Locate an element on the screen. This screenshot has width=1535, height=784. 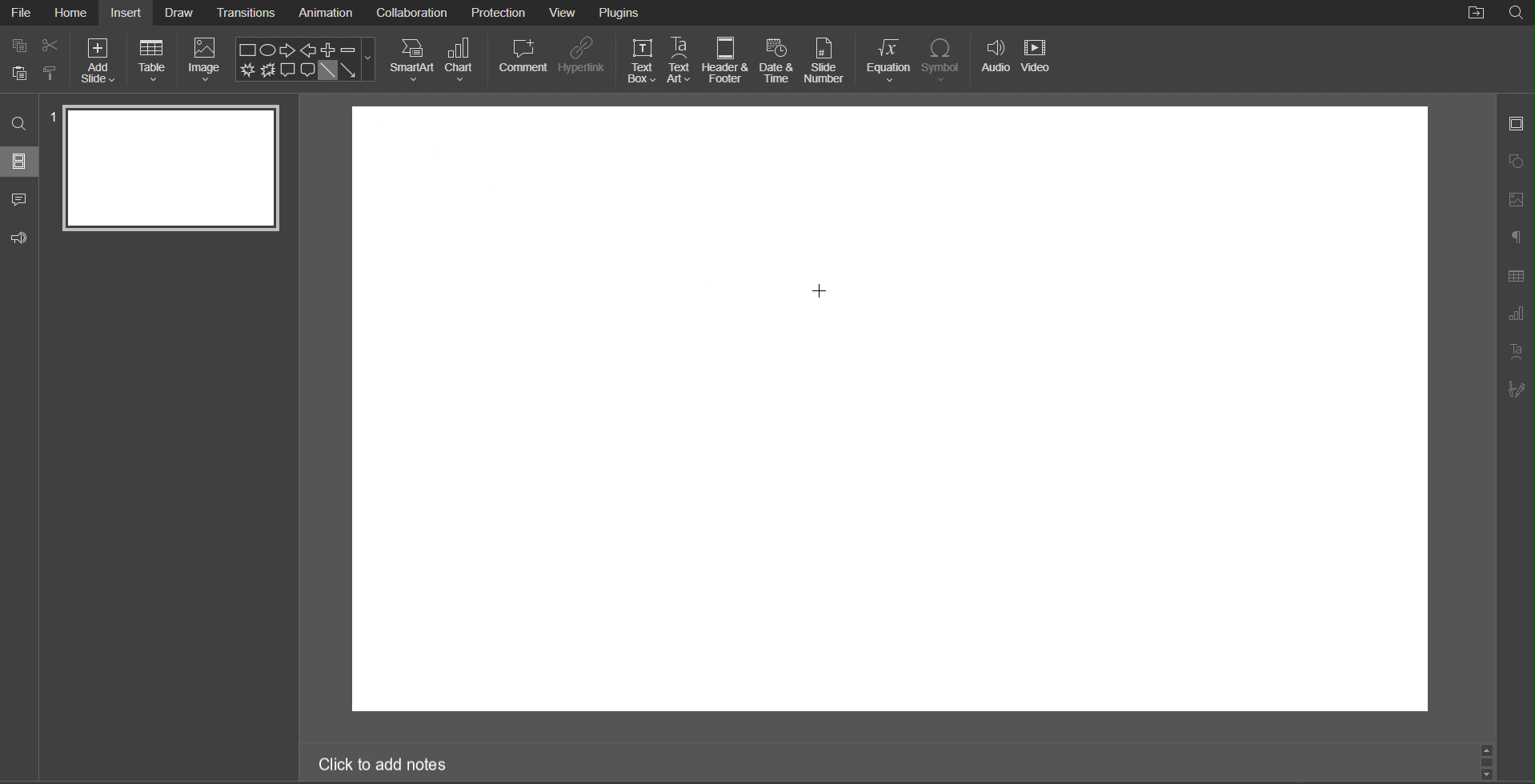
Plugins is located at coordinates (622, 13).